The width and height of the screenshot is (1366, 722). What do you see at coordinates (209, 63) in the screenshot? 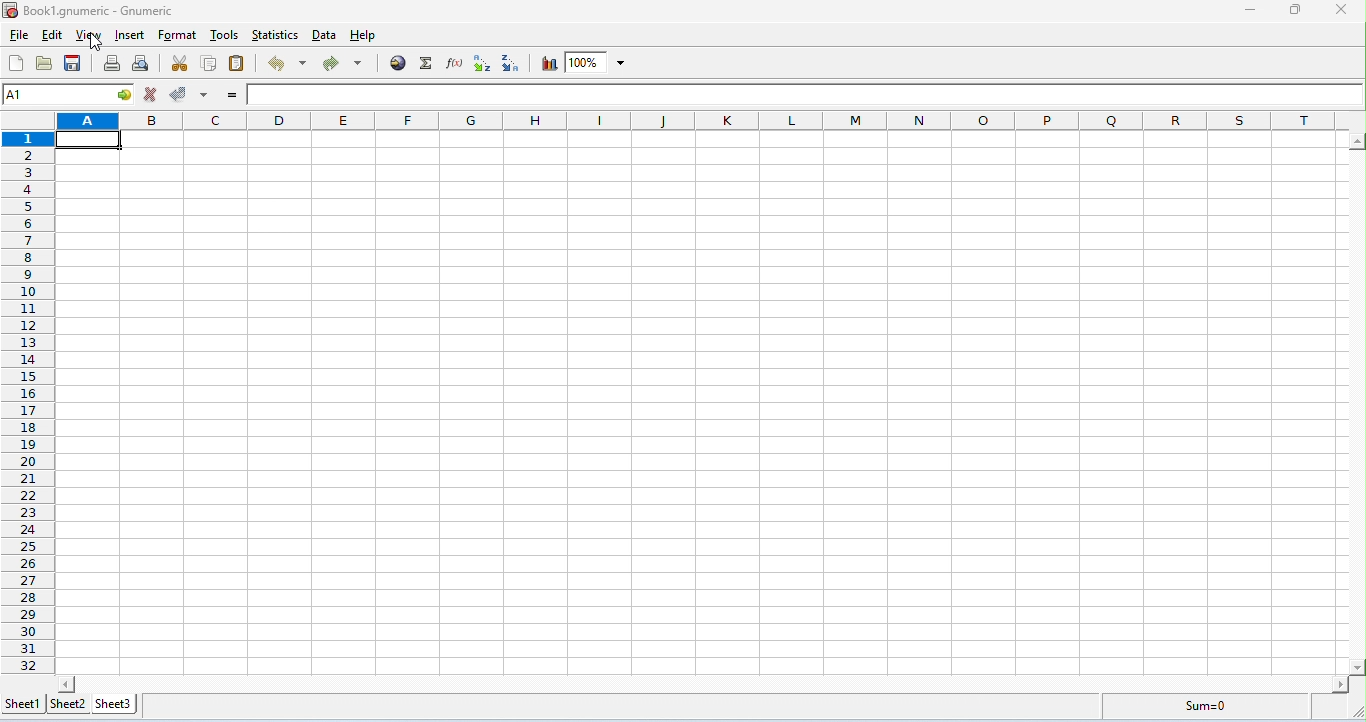
I see `copy` at bounding box center [209, 63].